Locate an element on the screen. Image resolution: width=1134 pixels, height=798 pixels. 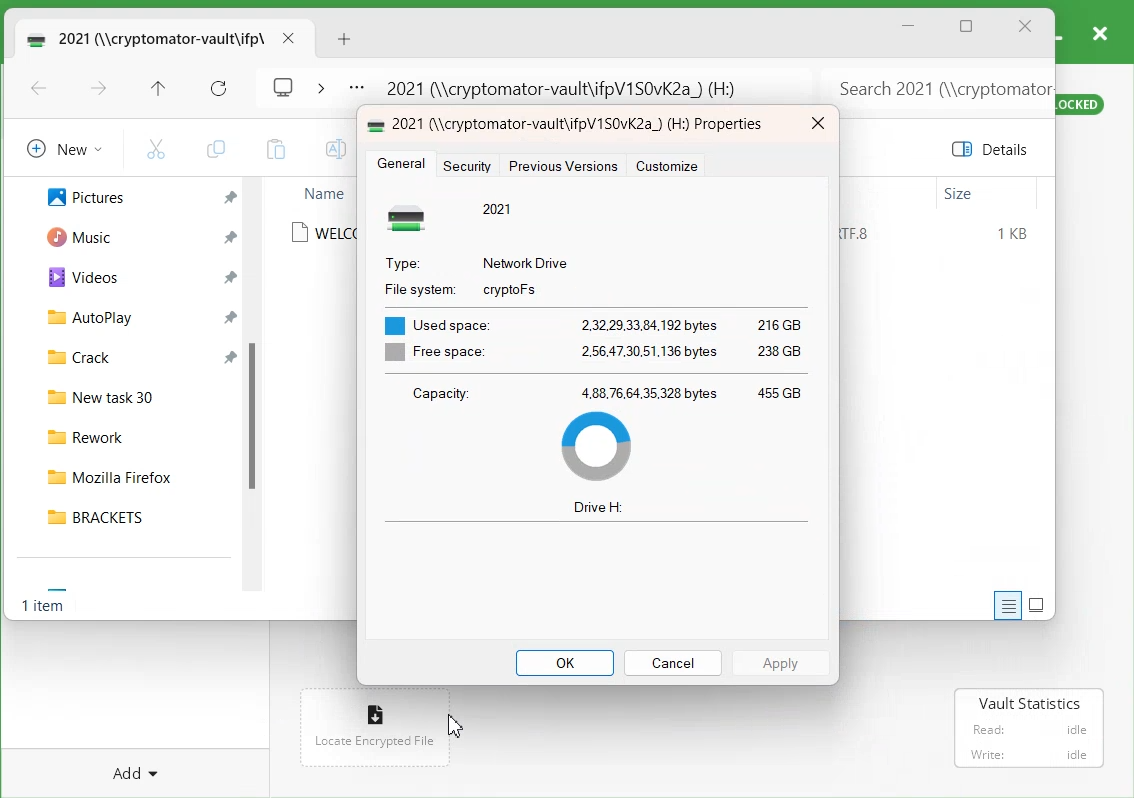
Cancel is located at coordinates (672, 662).